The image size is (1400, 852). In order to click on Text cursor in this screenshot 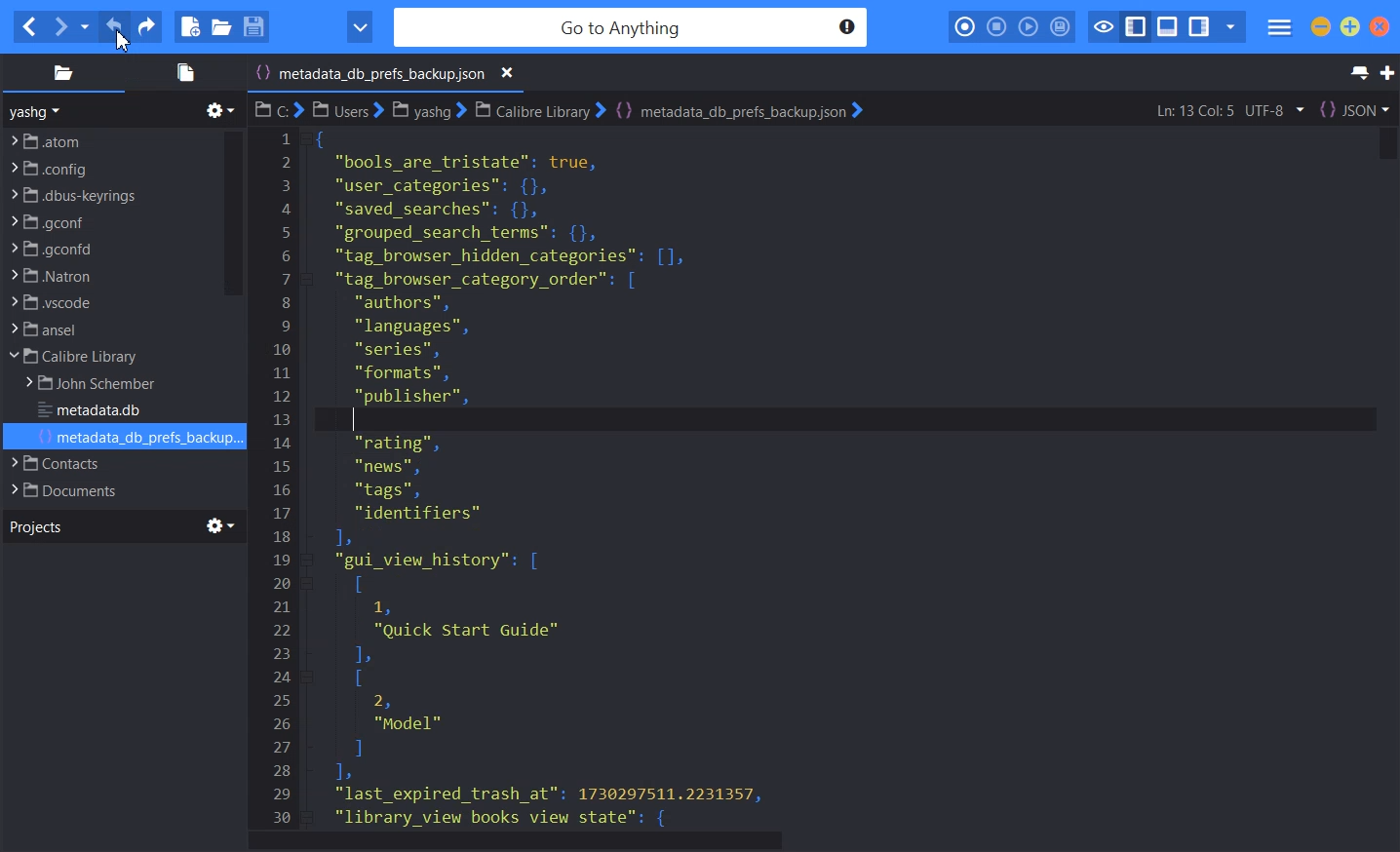, I will do `click(356, 419)`.